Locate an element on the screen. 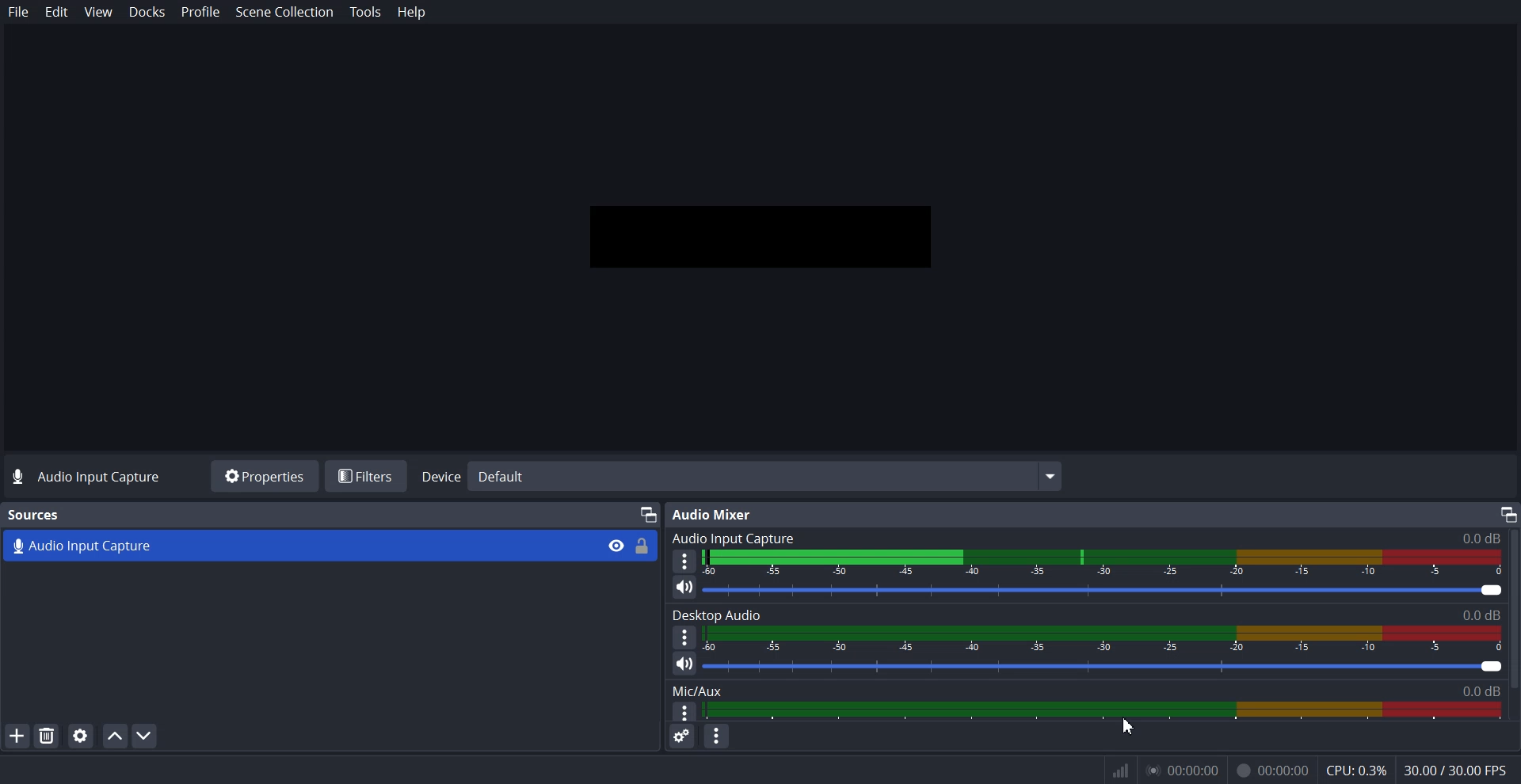 The height and width of the screenshot is (784, 1521). Cursor is located at coordinates (1129, 727).